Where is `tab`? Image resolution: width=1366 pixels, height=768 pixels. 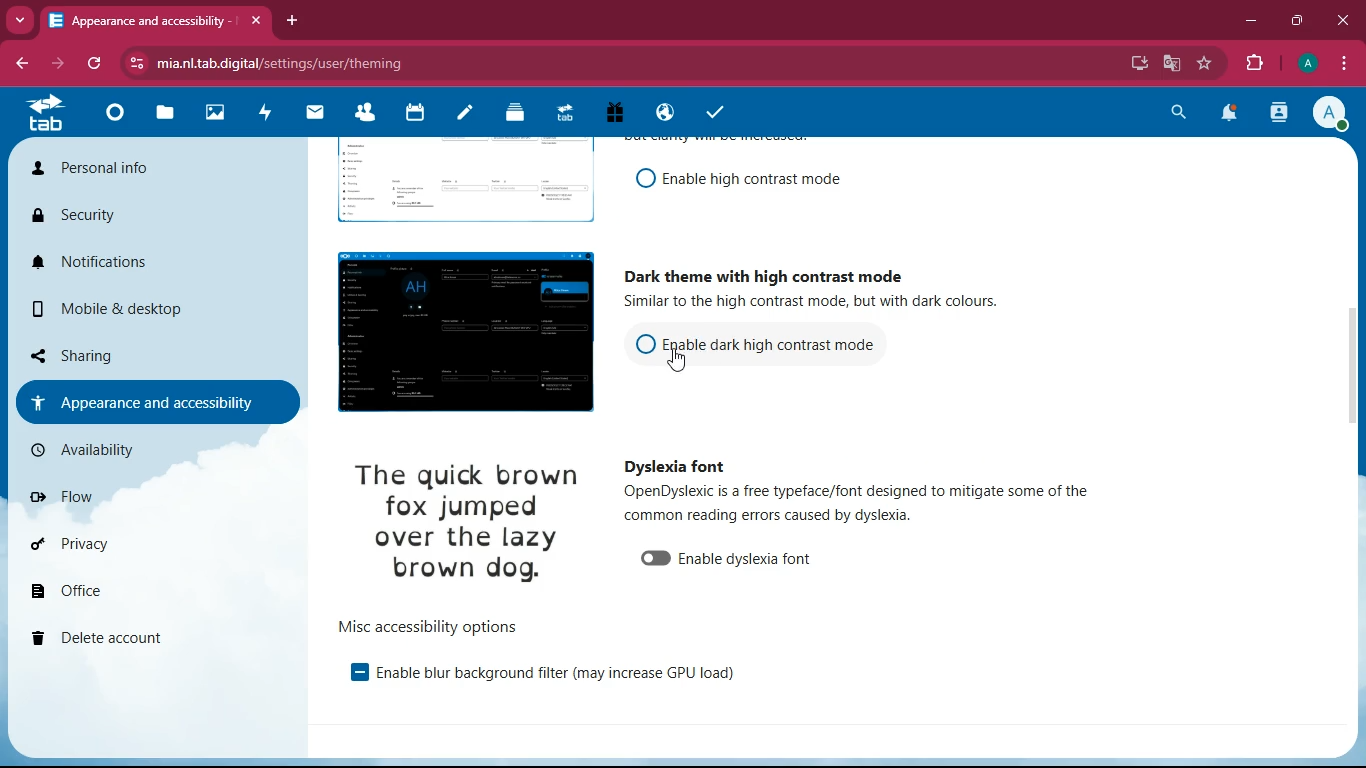
tab is located at coordinates (49, 112).